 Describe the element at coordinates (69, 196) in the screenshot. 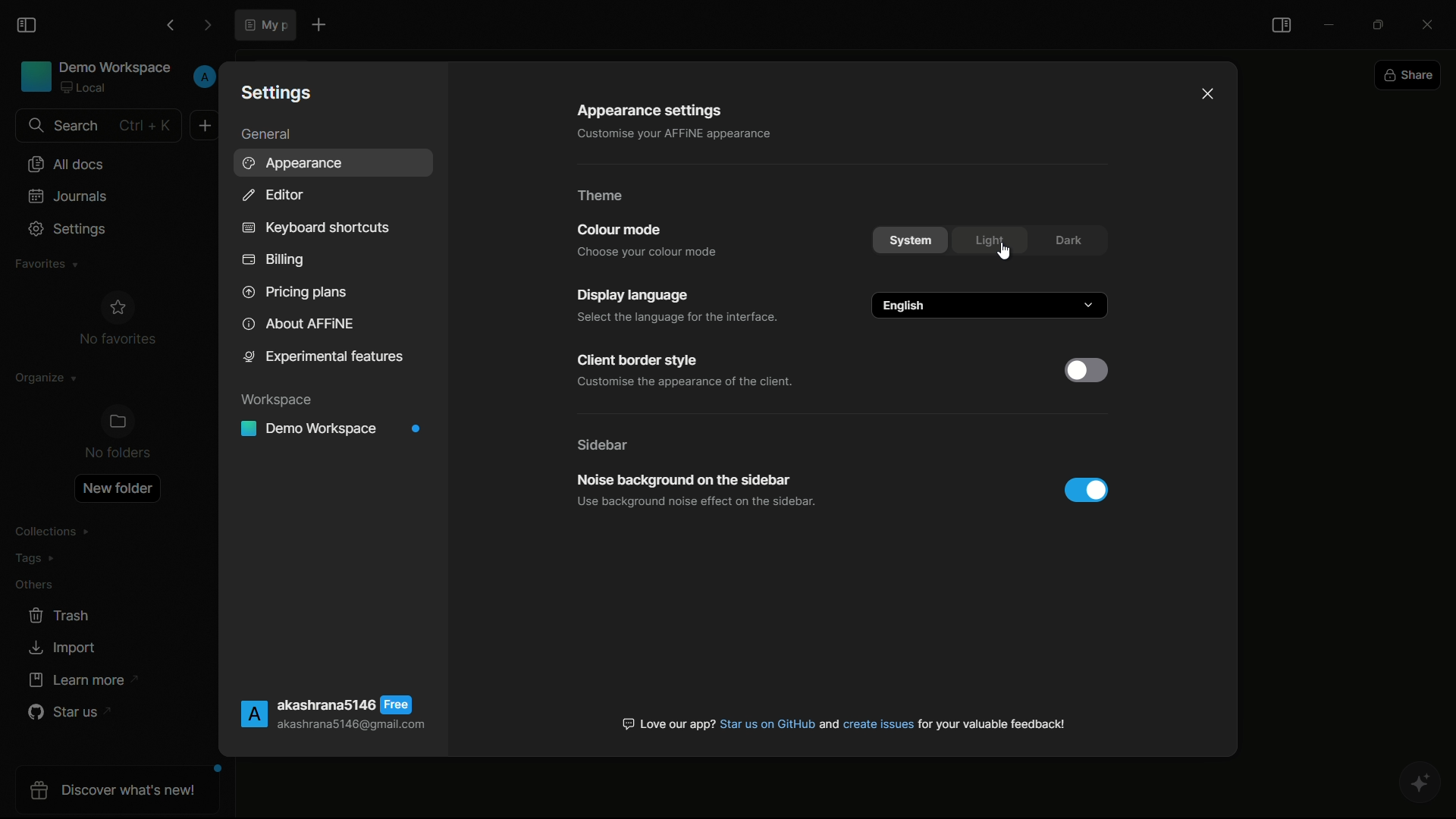

I see `journals` at that location.